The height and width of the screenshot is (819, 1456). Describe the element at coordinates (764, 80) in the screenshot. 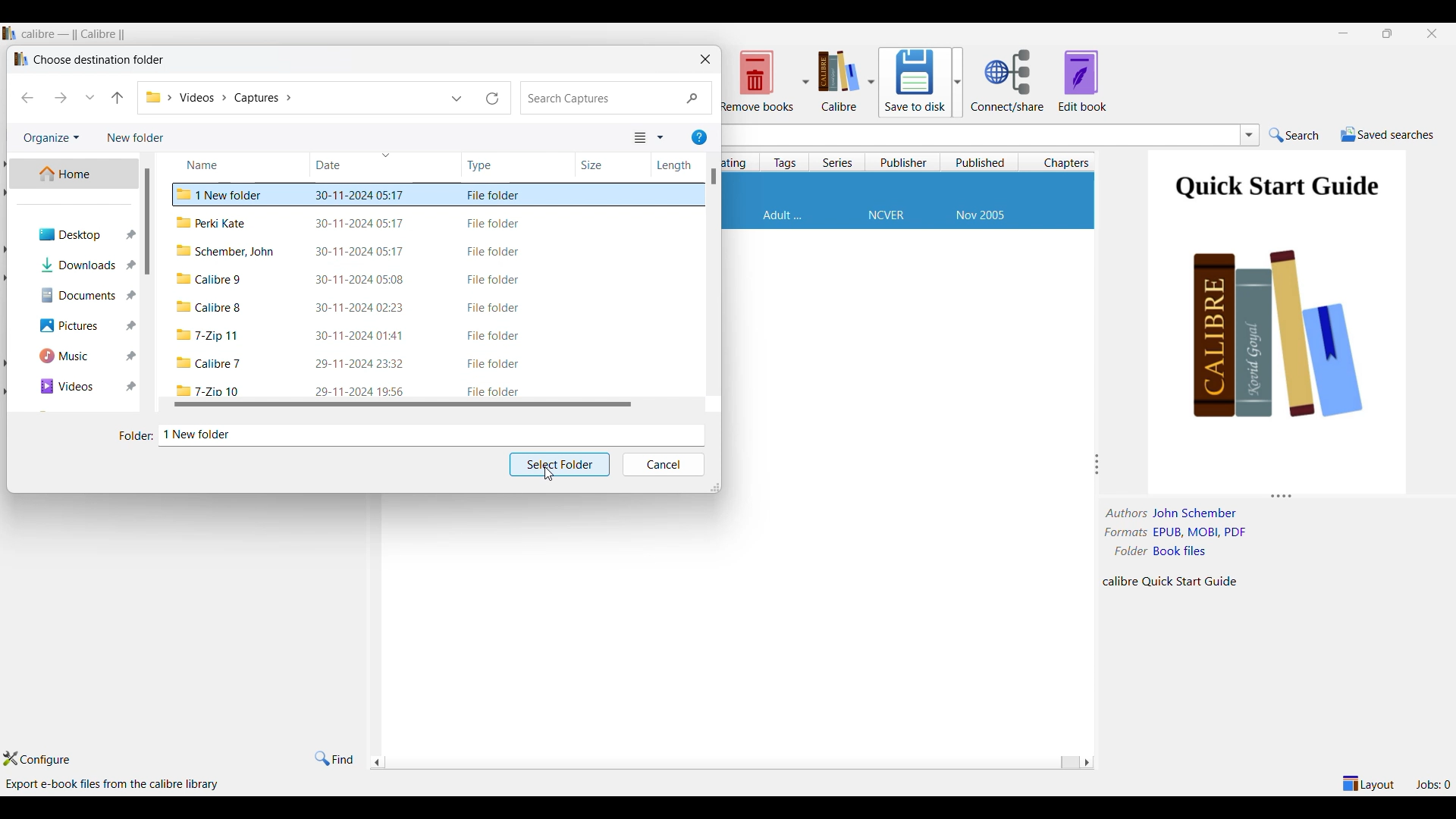

I see `Remove book options` at that location.